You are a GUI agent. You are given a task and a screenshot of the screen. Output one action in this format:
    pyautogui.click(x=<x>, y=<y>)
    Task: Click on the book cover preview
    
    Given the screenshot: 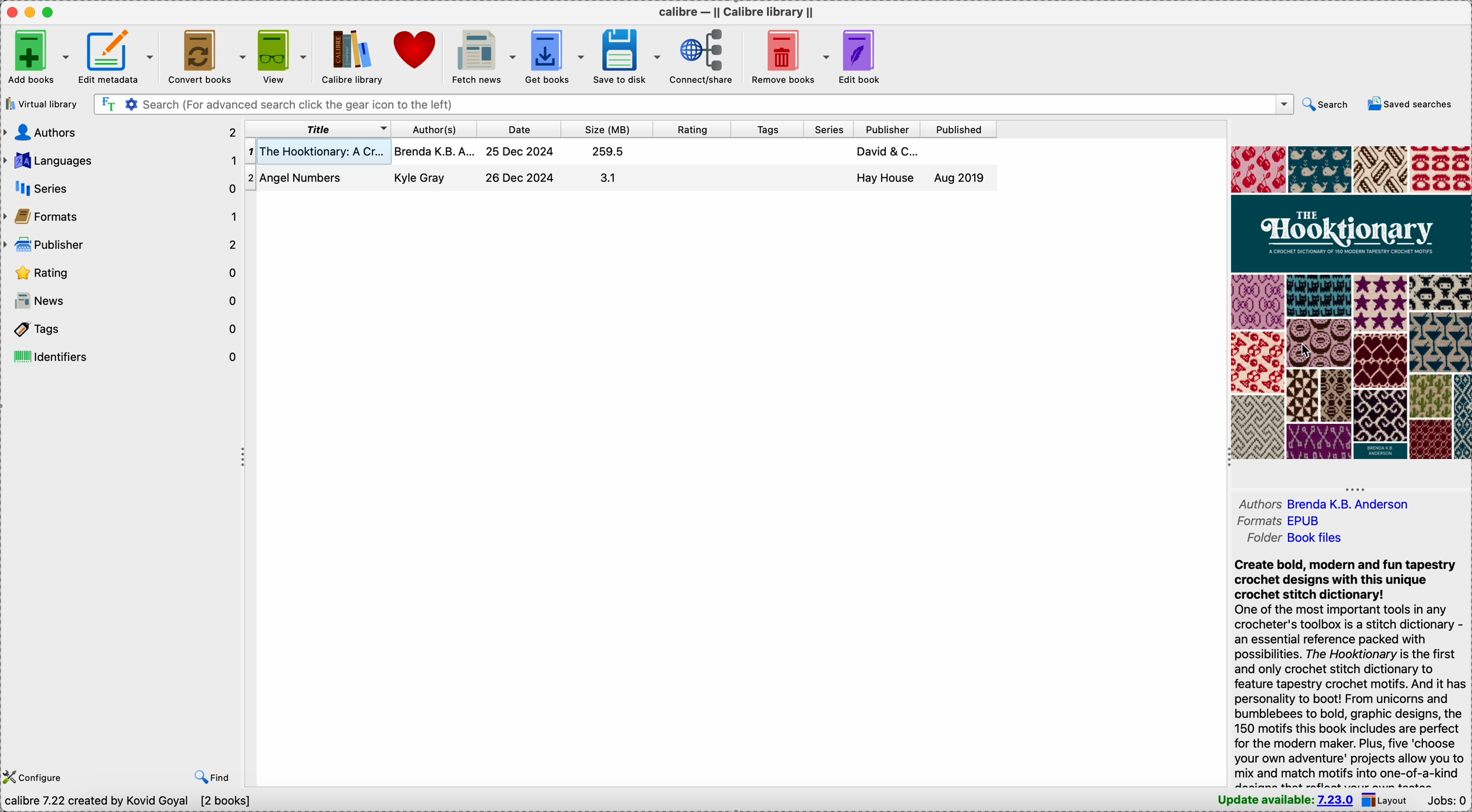 What is the action you would take?
    pyautogui.click(x=1351, y=302)
    